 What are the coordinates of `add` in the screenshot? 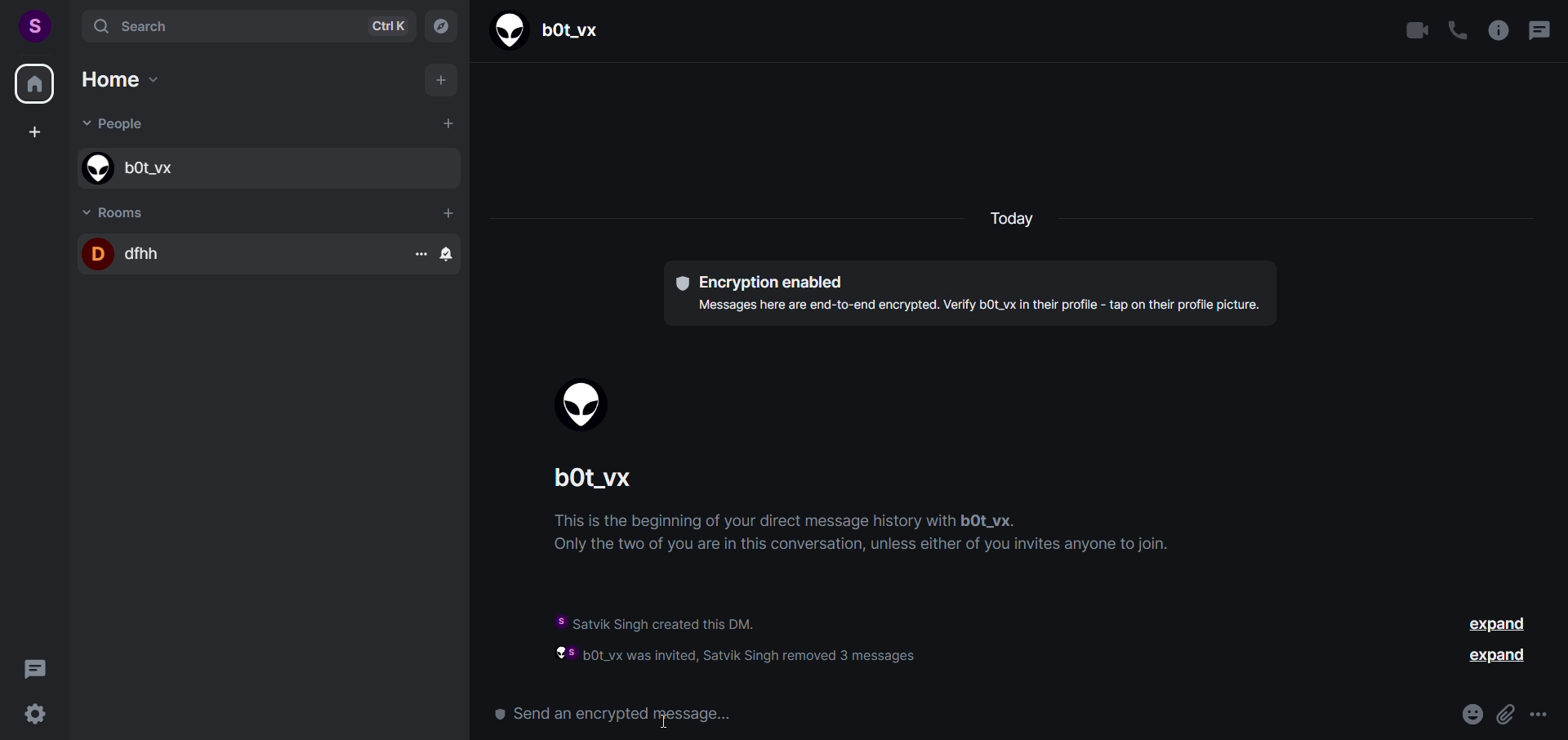 It's located at (443, 82).